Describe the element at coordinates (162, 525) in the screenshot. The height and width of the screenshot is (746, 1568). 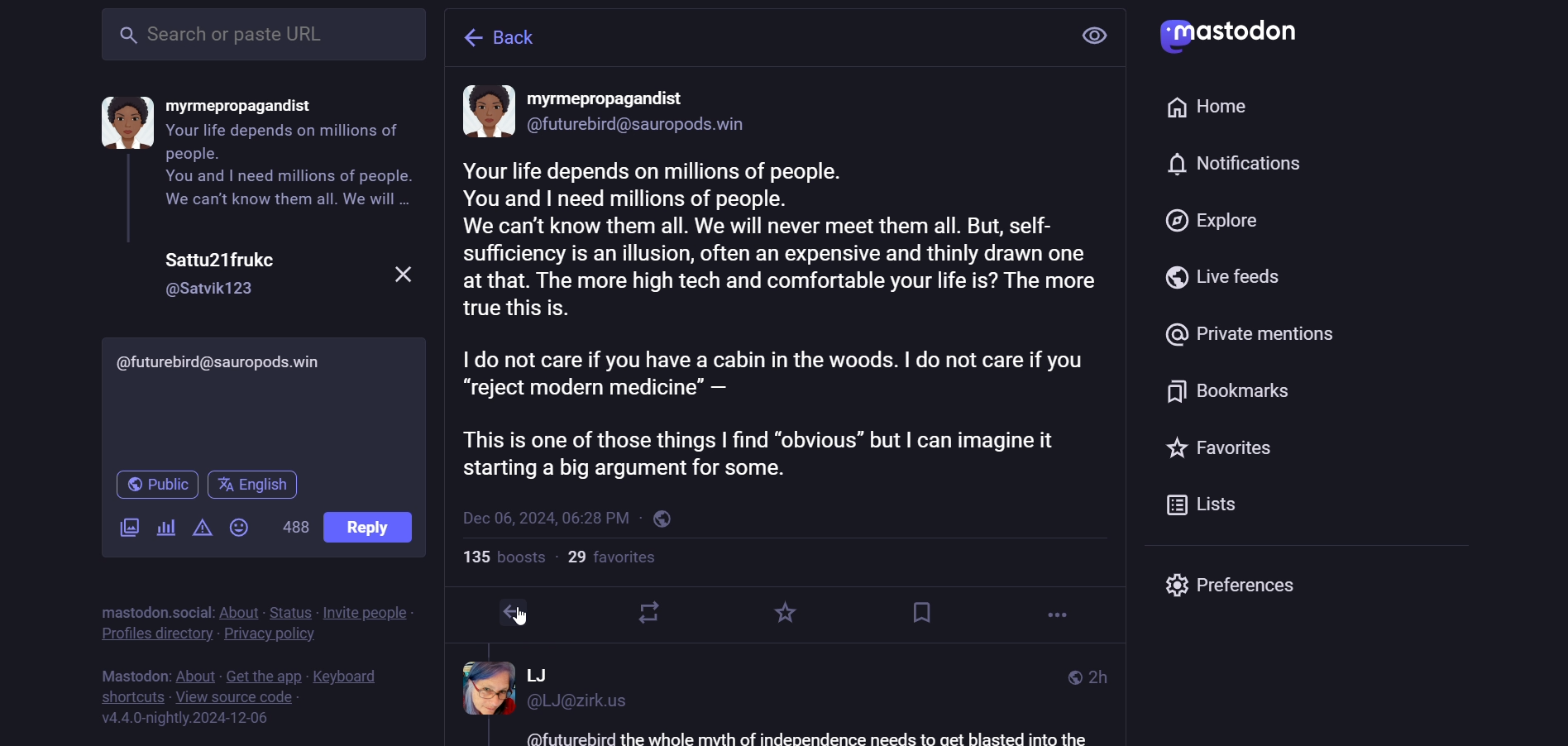
I see `poll` at that location.